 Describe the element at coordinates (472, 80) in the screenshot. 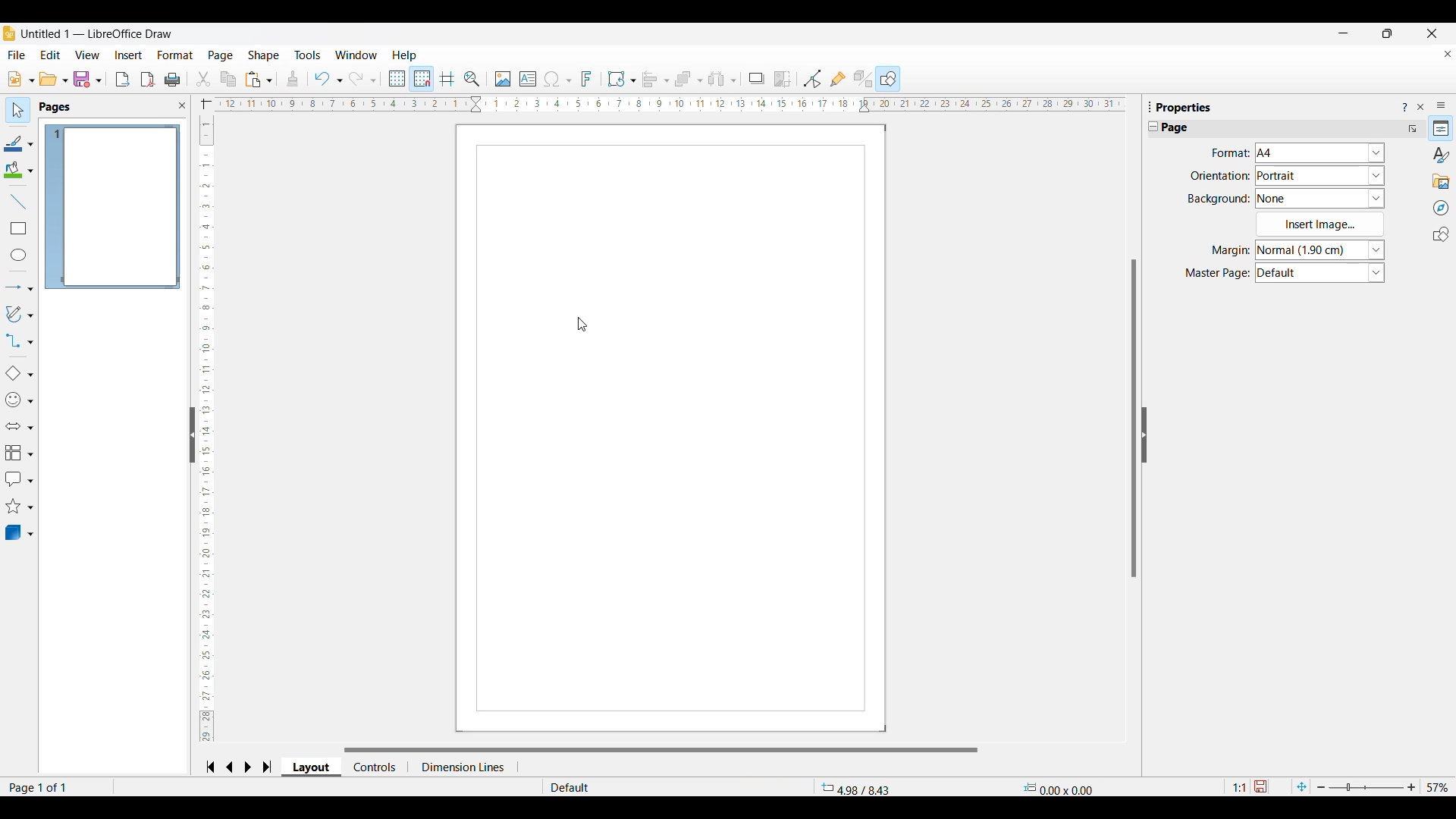

I see `Zoom and pan` at that location.